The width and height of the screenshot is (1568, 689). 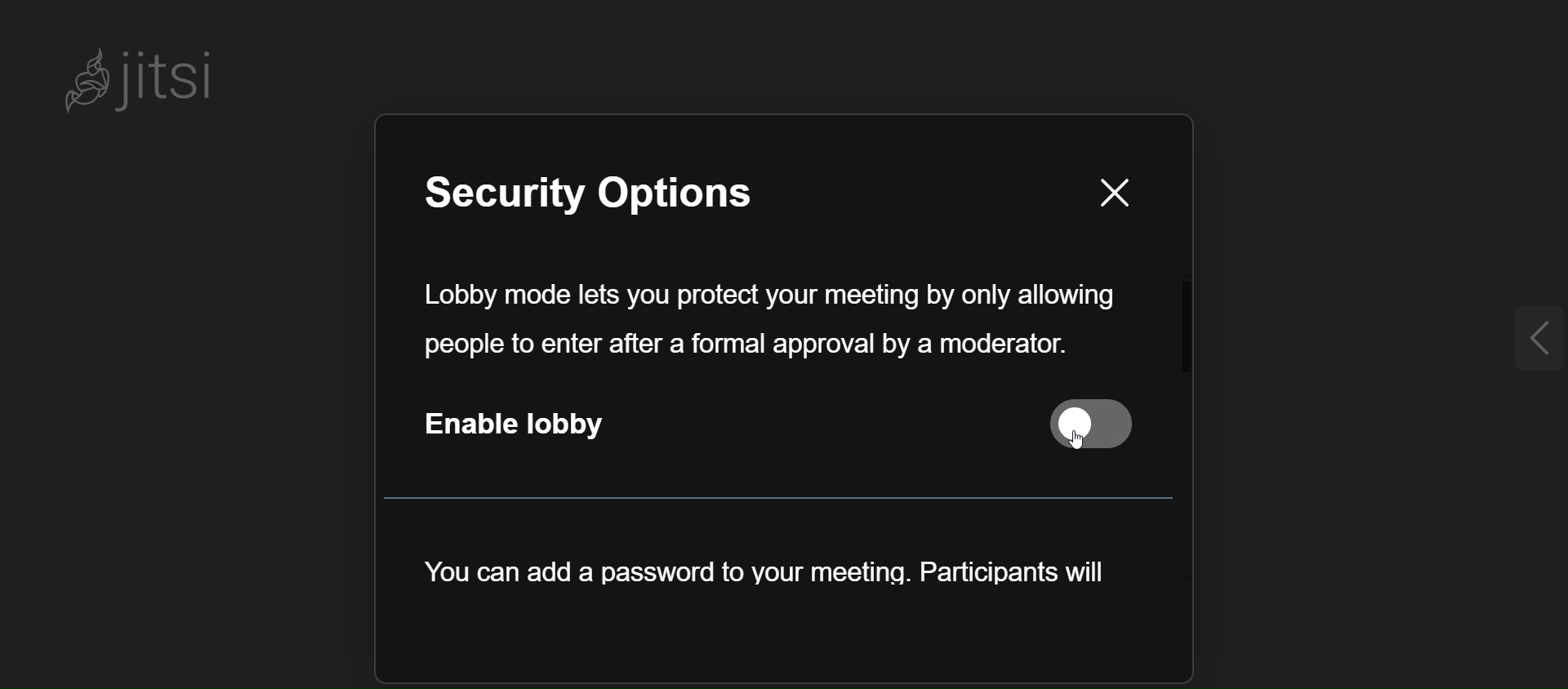 I want to click on close, so click(x=1099, y=192).